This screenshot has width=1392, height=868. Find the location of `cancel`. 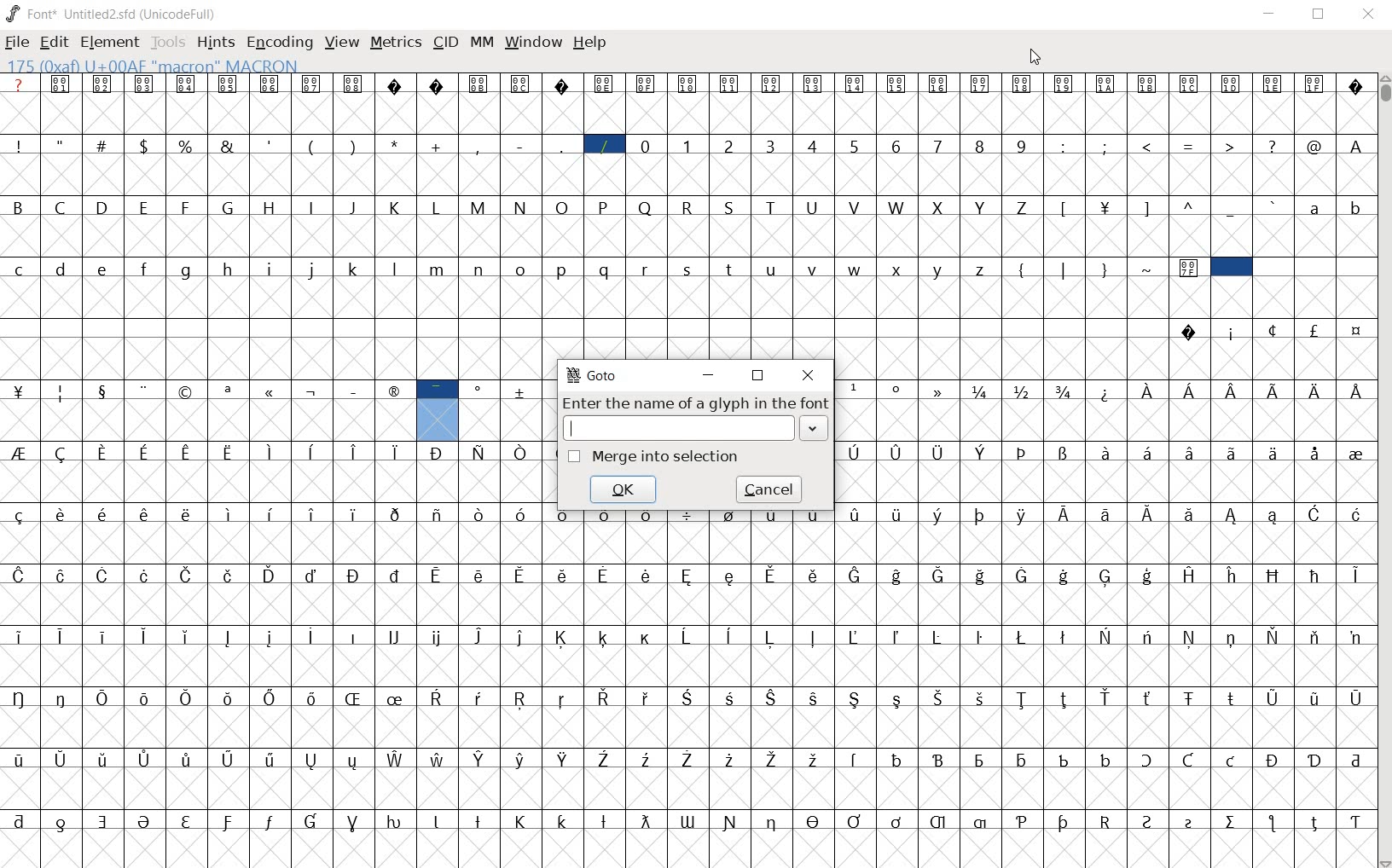

cancel is located at coordinates (772, 490).